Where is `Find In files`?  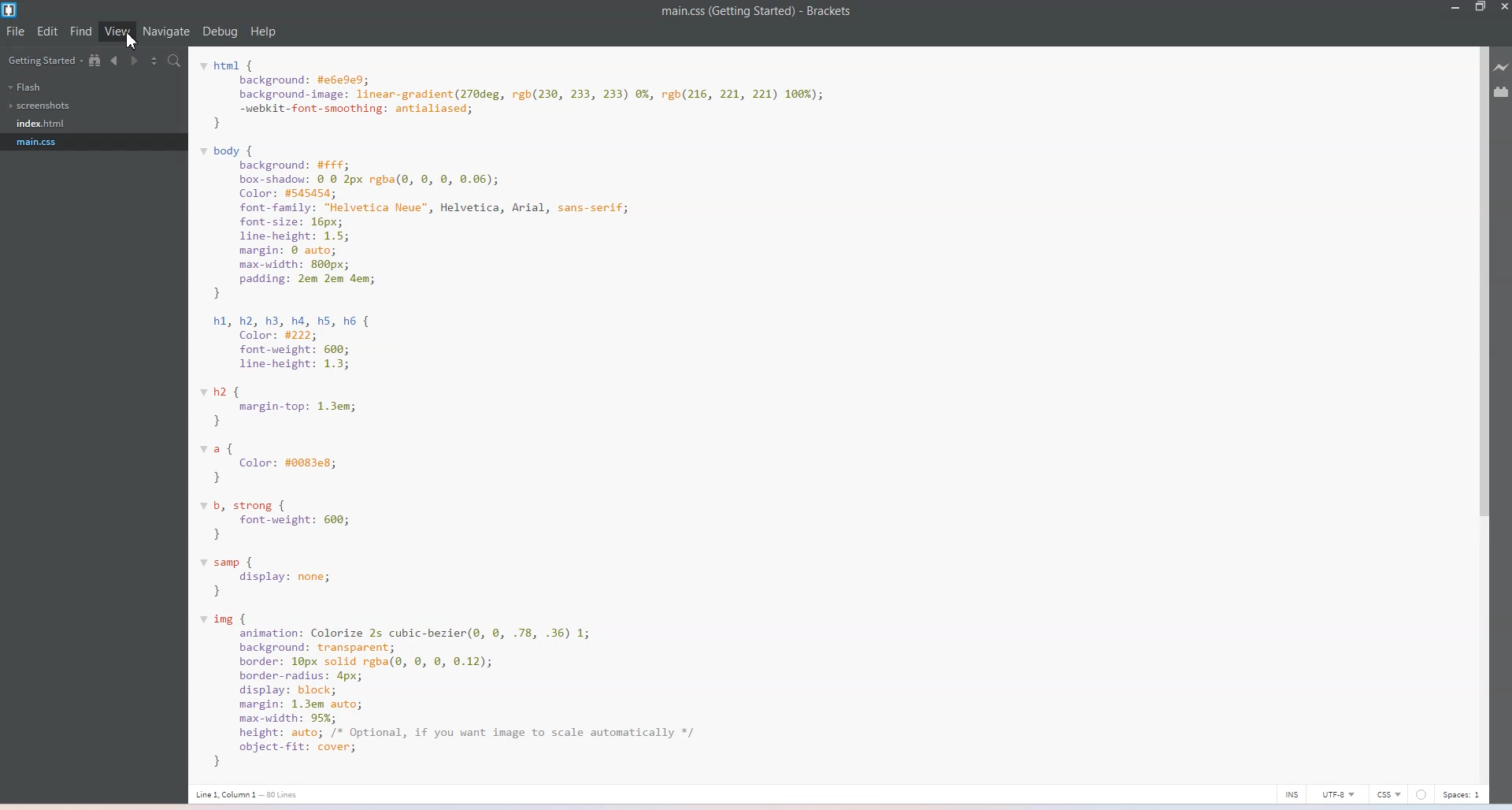
Find In files is located at coordinates (176, 61).